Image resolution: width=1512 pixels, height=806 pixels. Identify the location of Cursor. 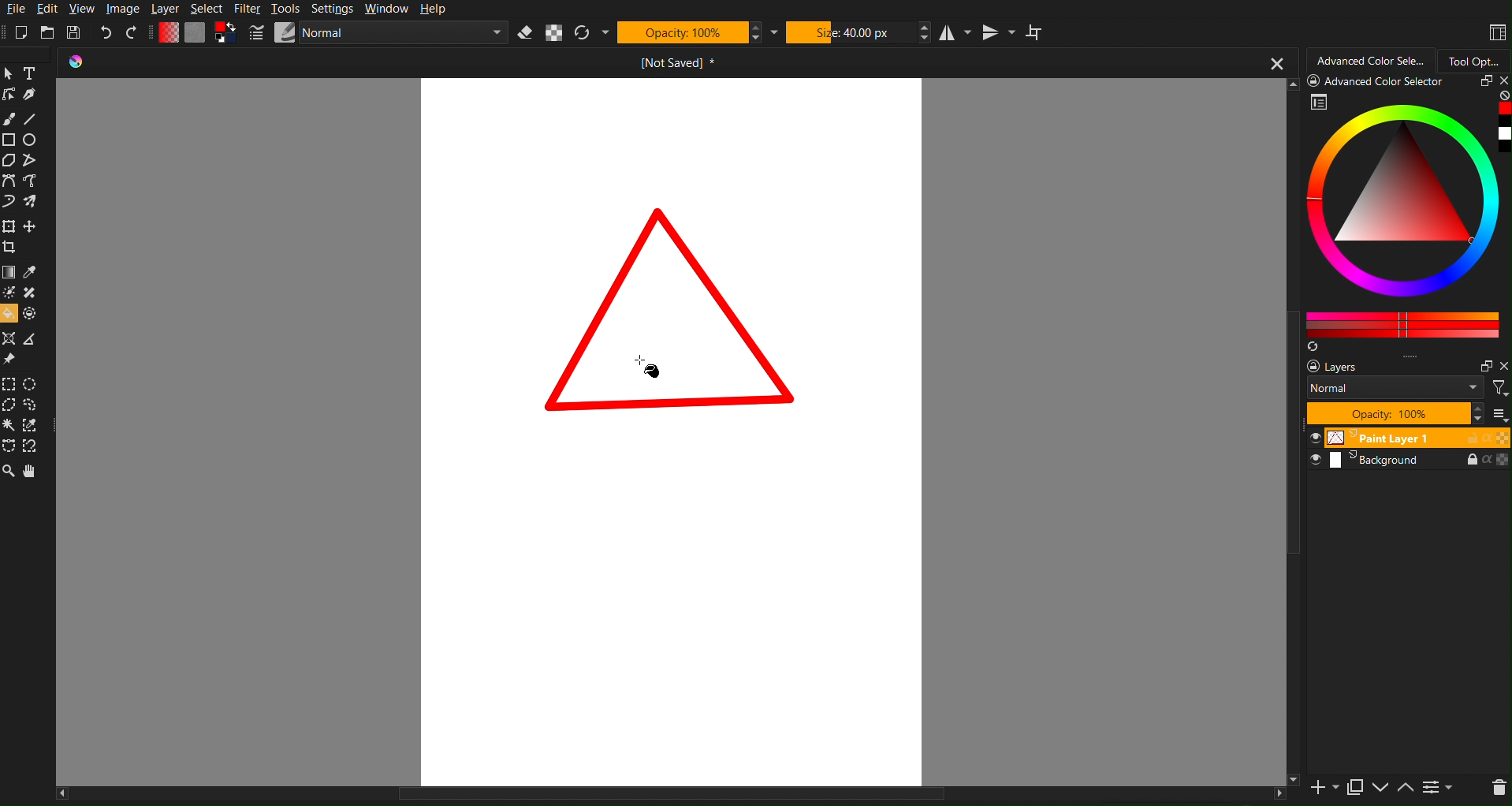
(645, 361).